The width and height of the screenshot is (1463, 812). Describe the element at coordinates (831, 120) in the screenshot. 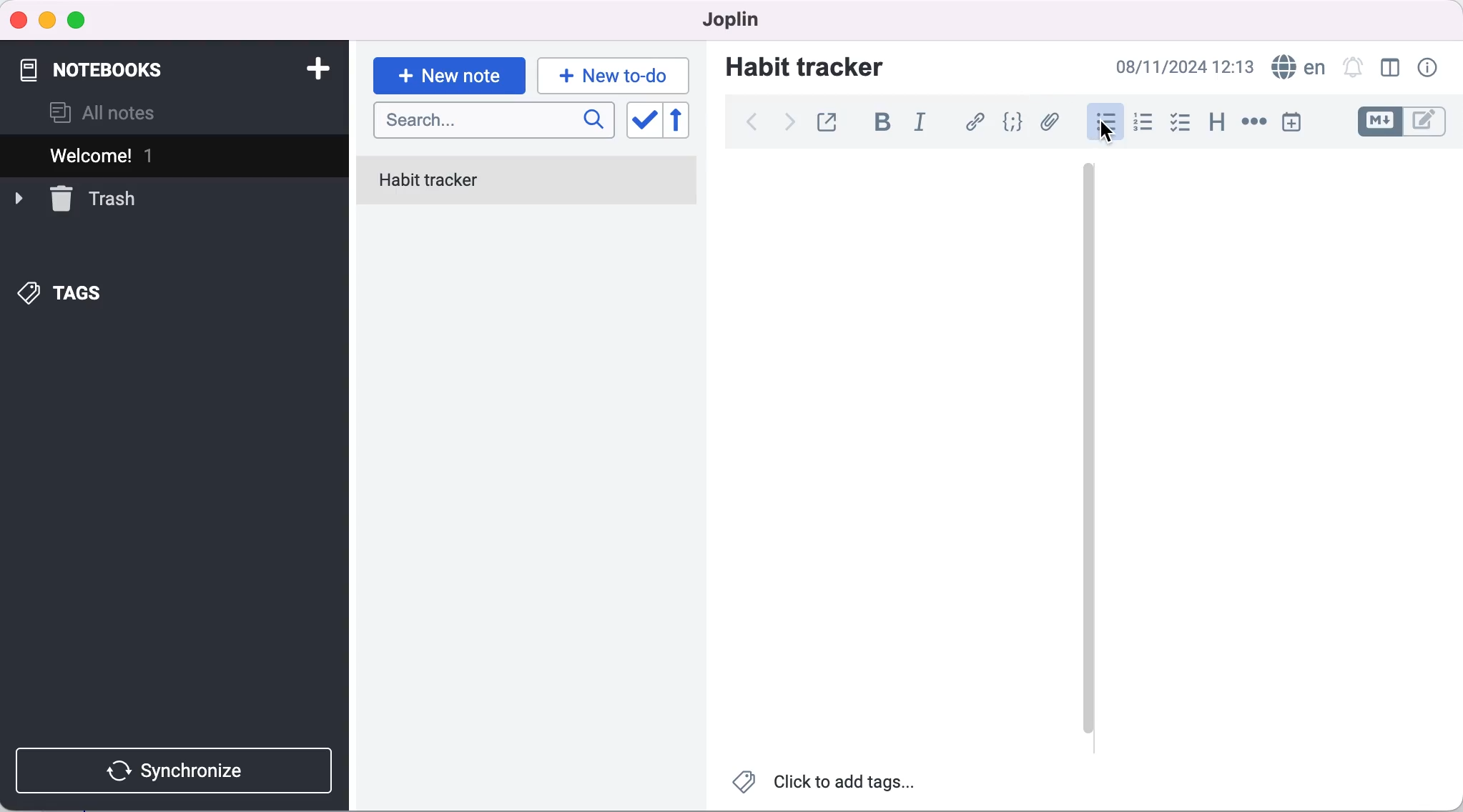

I see `toggle external editing` at that location.